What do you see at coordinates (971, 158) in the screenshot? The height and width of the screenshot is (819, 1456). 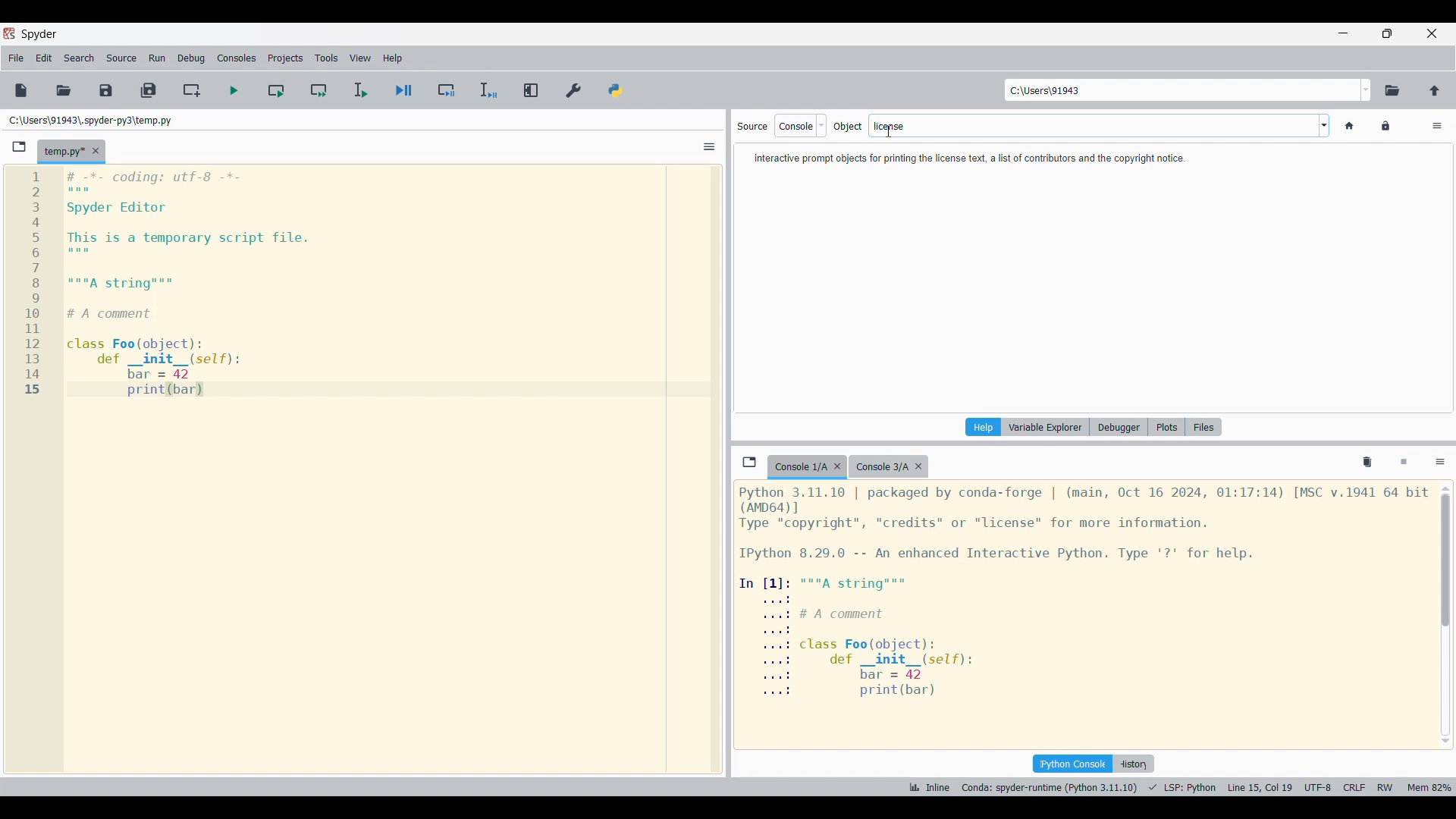 I see `Description of text typed in` at bounding box center [971, 158].